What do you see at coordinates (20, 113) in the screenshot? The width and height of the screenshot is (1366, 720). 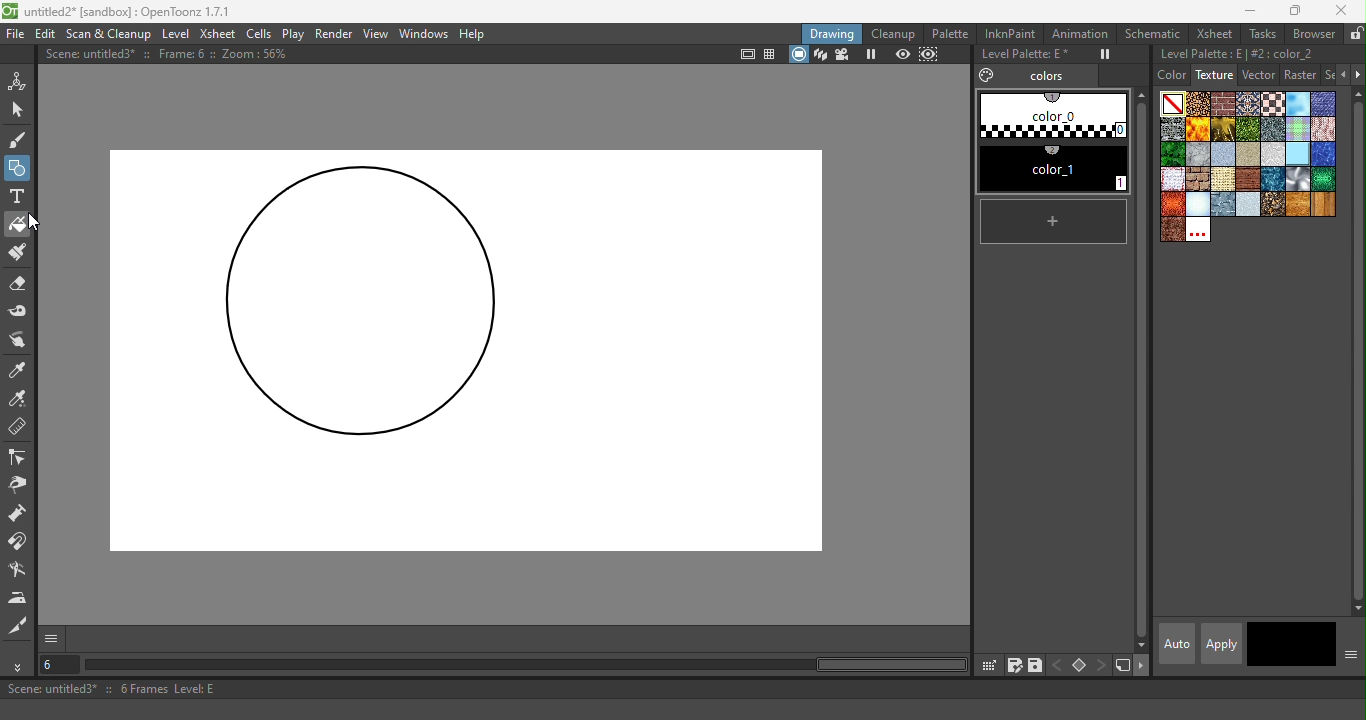 I see `Selection tool` at bounding box center [20, 113].